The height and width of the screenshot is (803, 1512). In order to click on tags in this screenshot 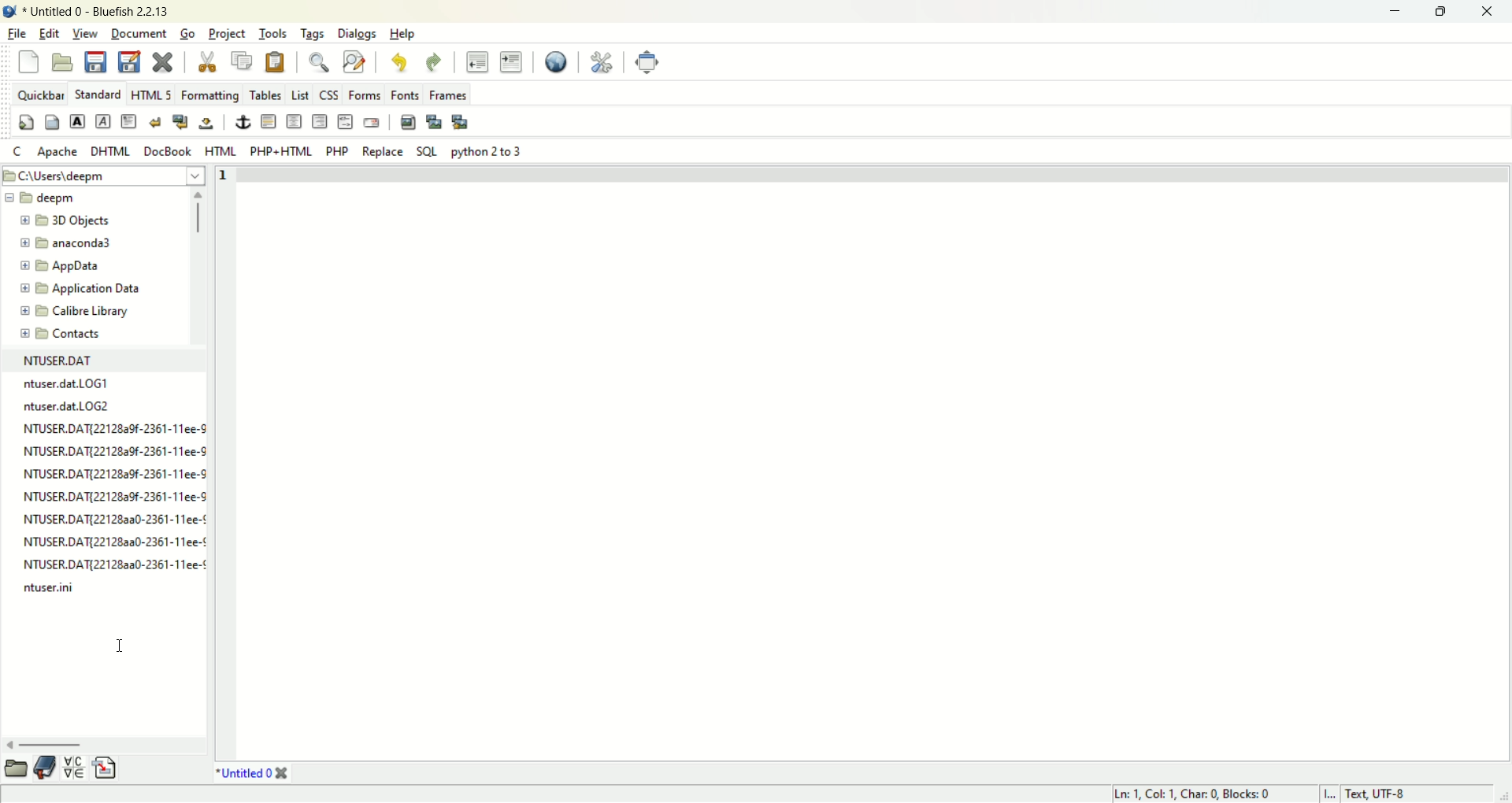, I will do `click(310, 34)`.